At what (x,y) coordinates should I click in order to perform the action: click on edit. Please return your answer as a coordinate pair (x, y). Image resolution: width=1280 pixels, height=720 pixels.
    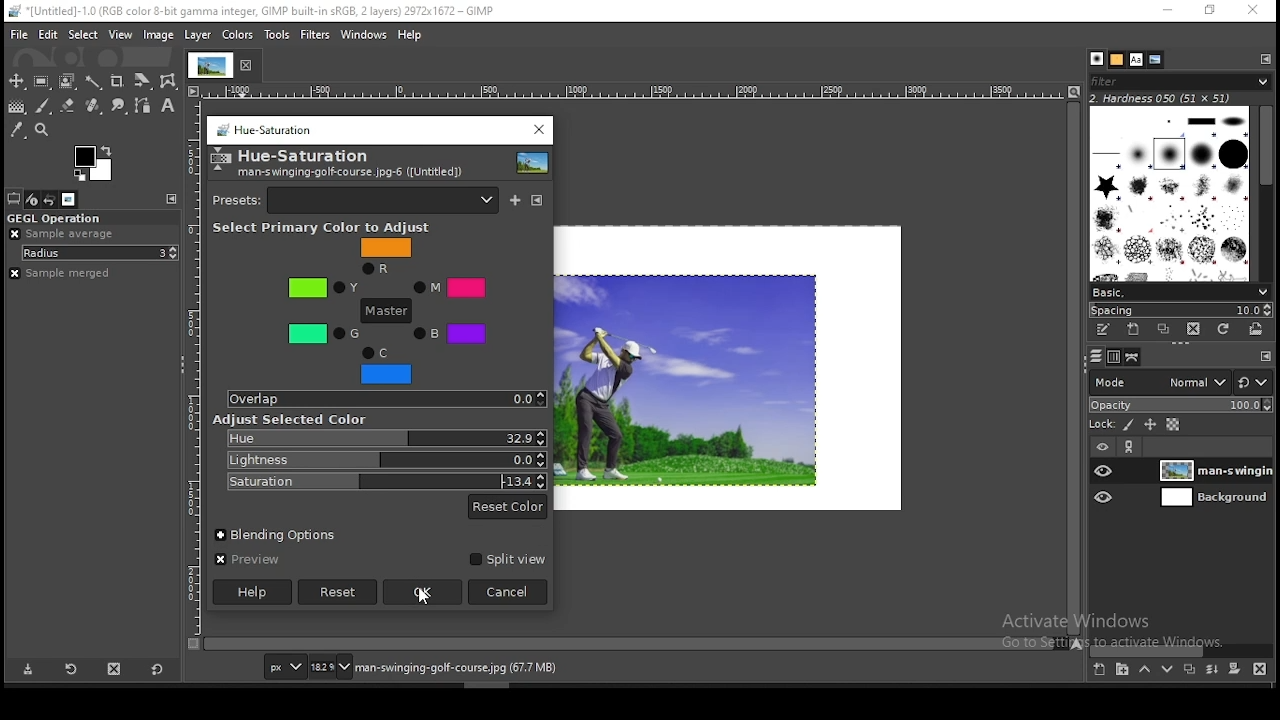
    Looking at the image, I should click on (48, 34).